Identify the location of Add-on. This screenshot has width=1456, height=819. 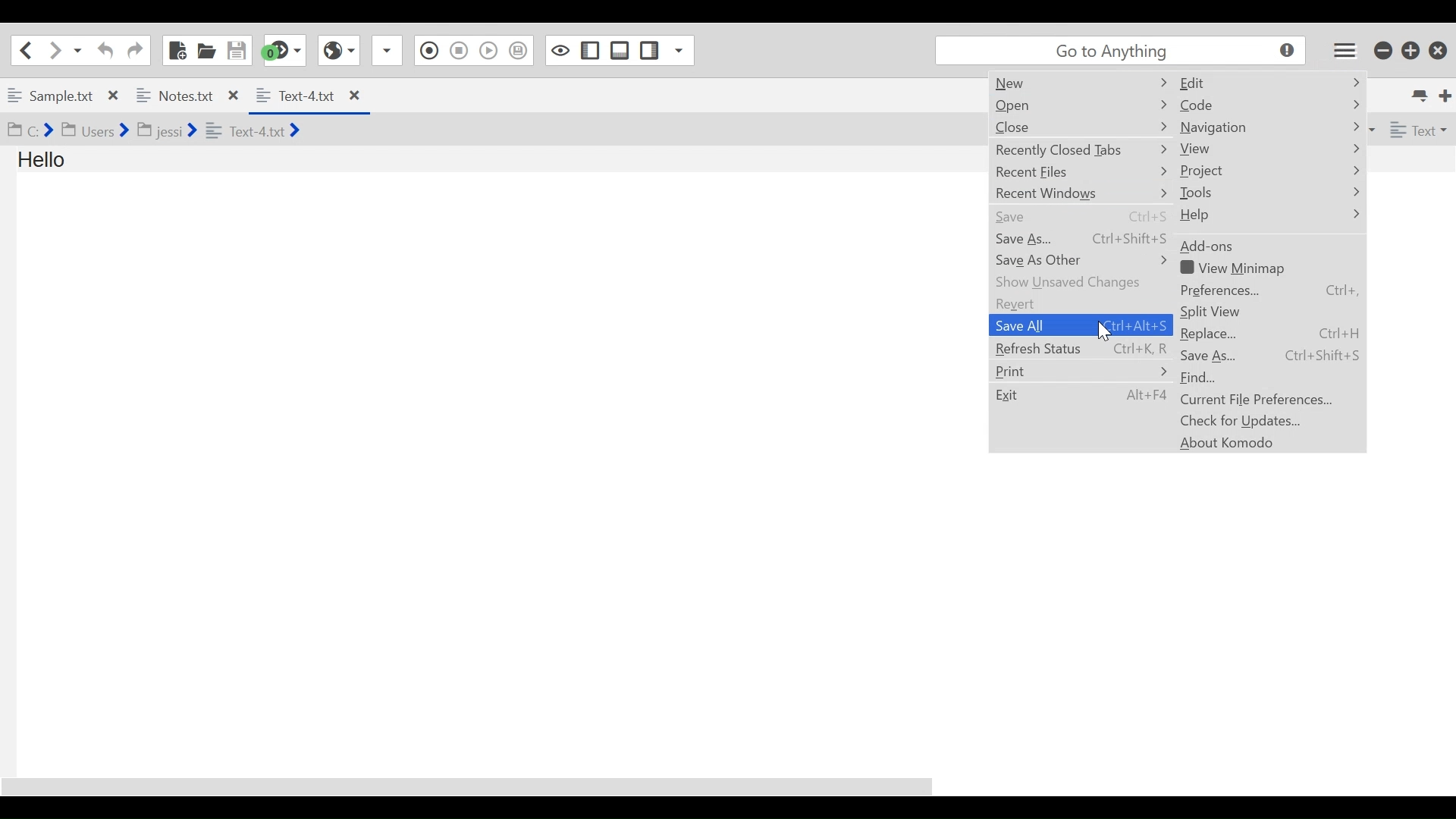
(1269, 246).